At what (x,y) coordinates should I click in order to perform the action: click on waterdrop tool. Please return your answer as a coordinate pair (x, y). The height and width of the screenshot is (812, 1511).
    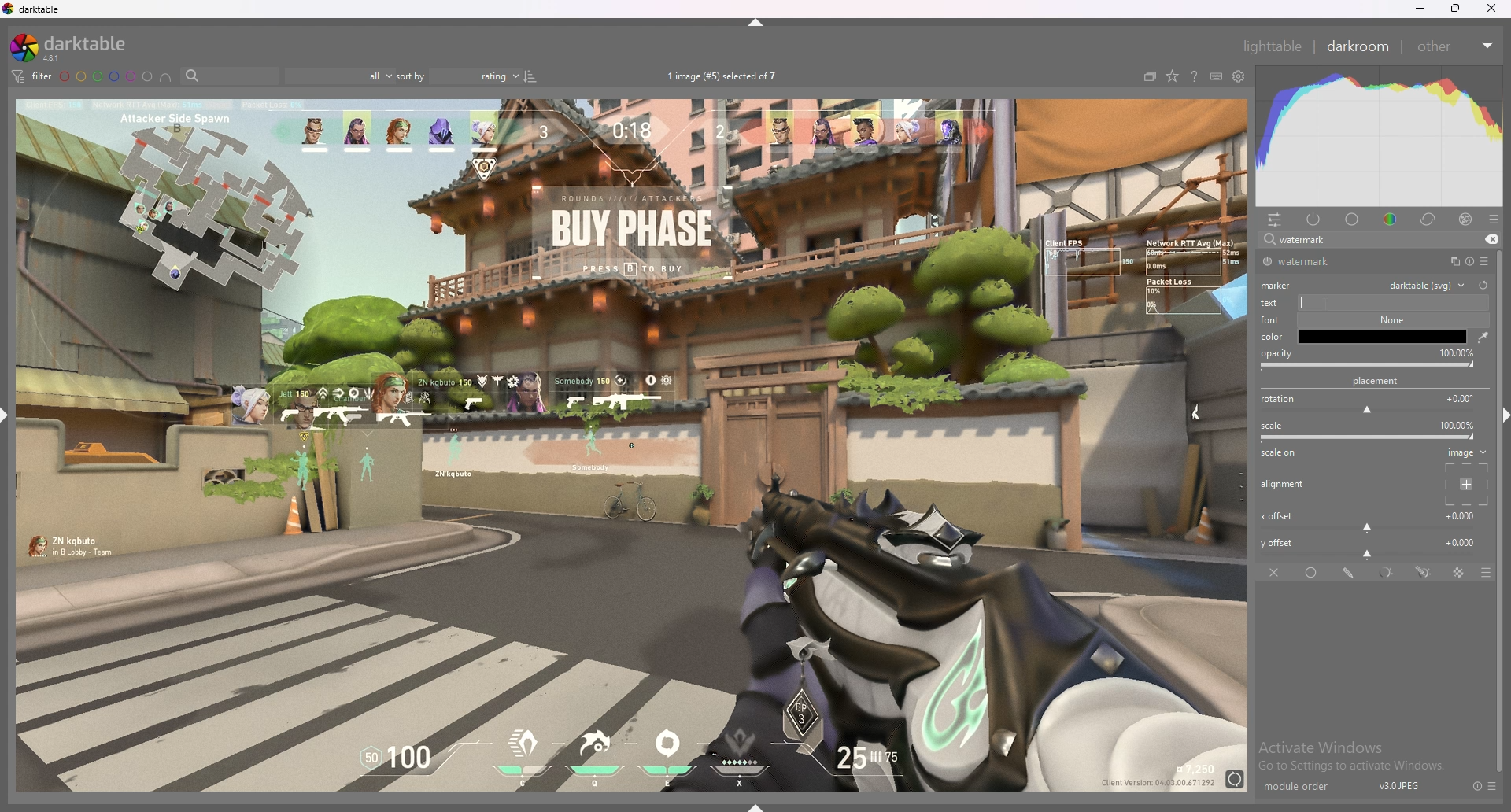
    Looking at the image, I should click on (1479, 337).